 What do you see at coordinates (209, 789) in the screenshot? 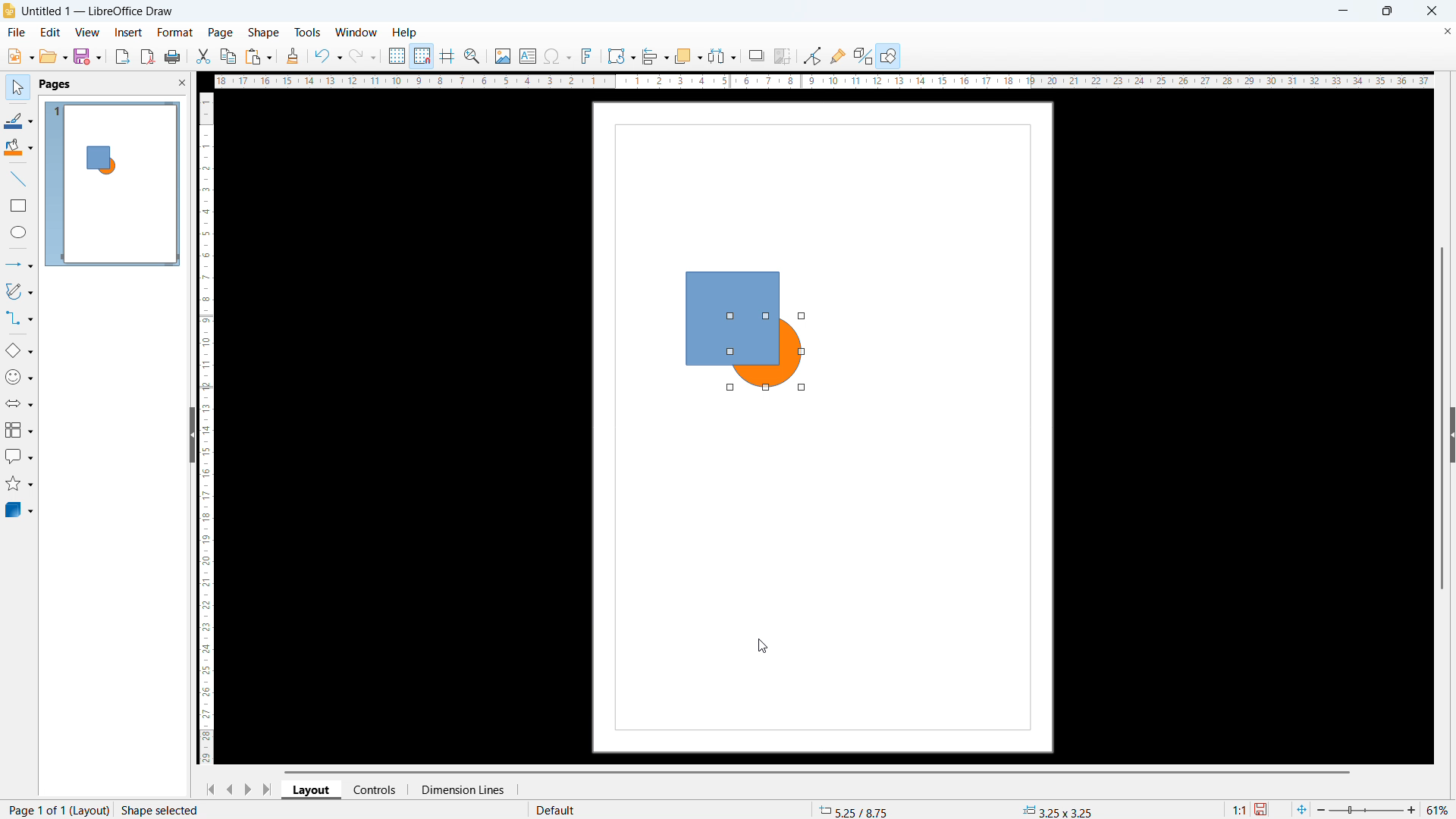
I see `go to first page` at bounding box center [209, 789].